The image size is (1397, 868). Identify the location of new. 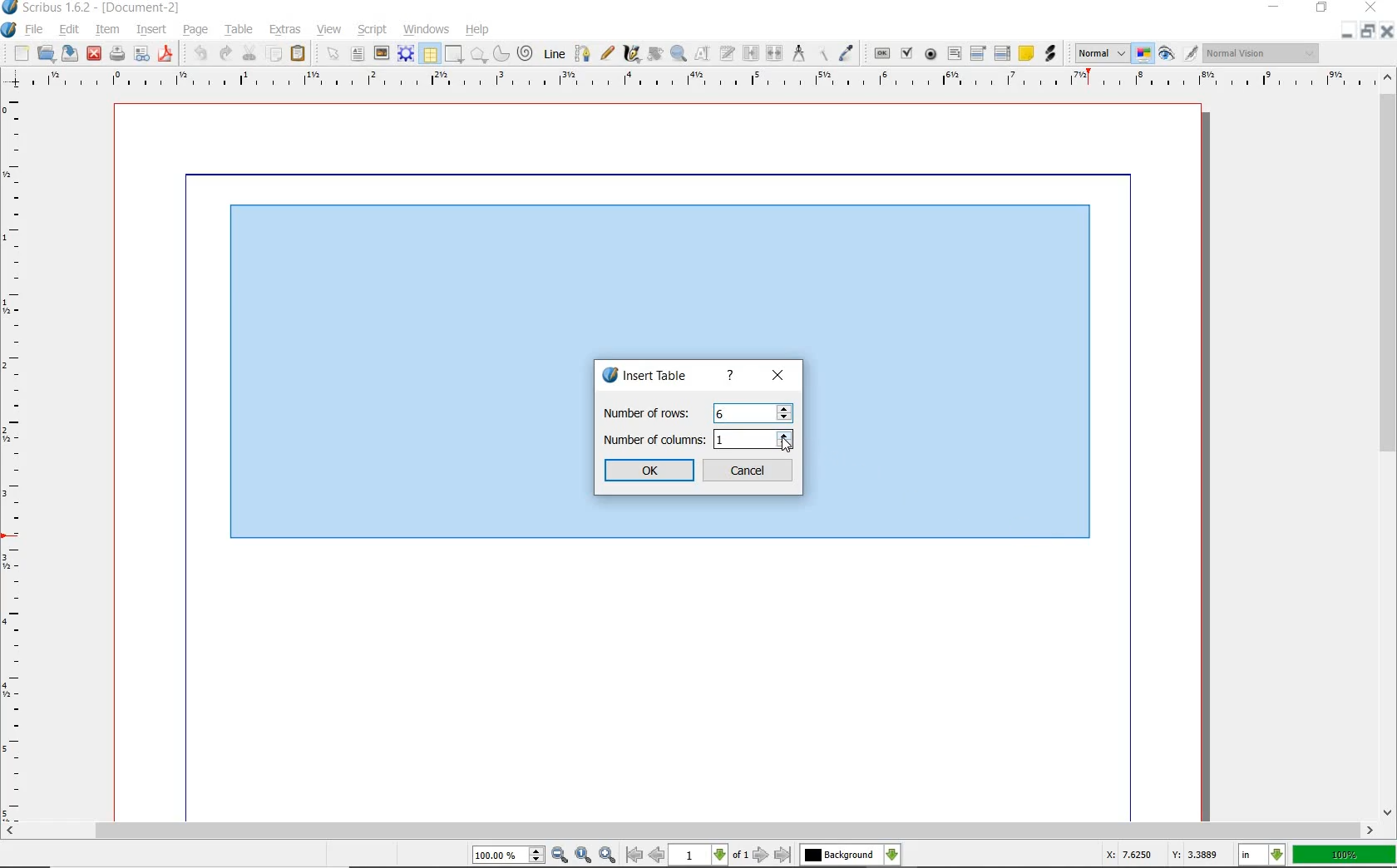
(22, 52).